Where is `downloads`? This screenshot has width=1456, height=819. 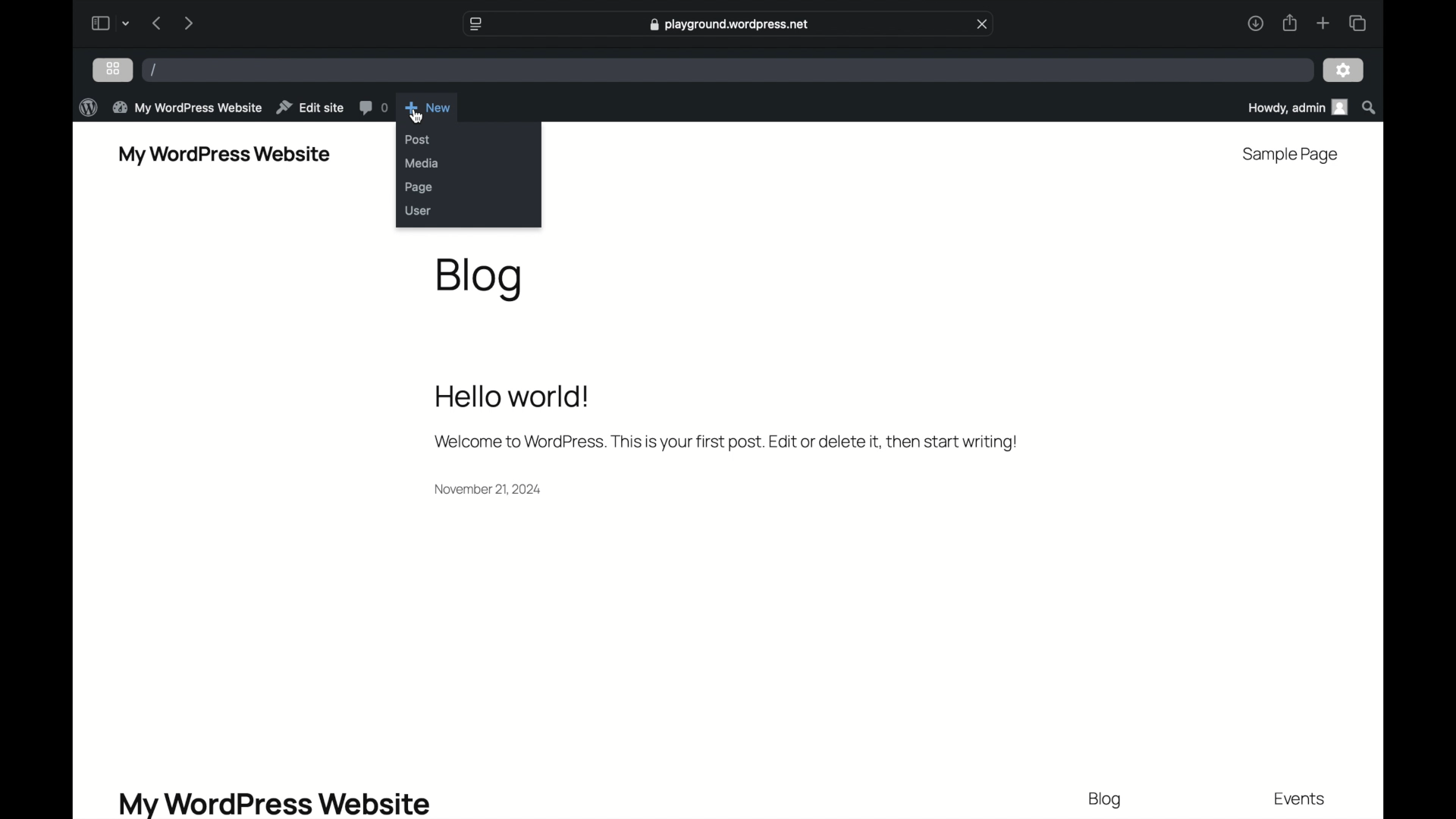 downloads is located at coordinates (1254, 23).